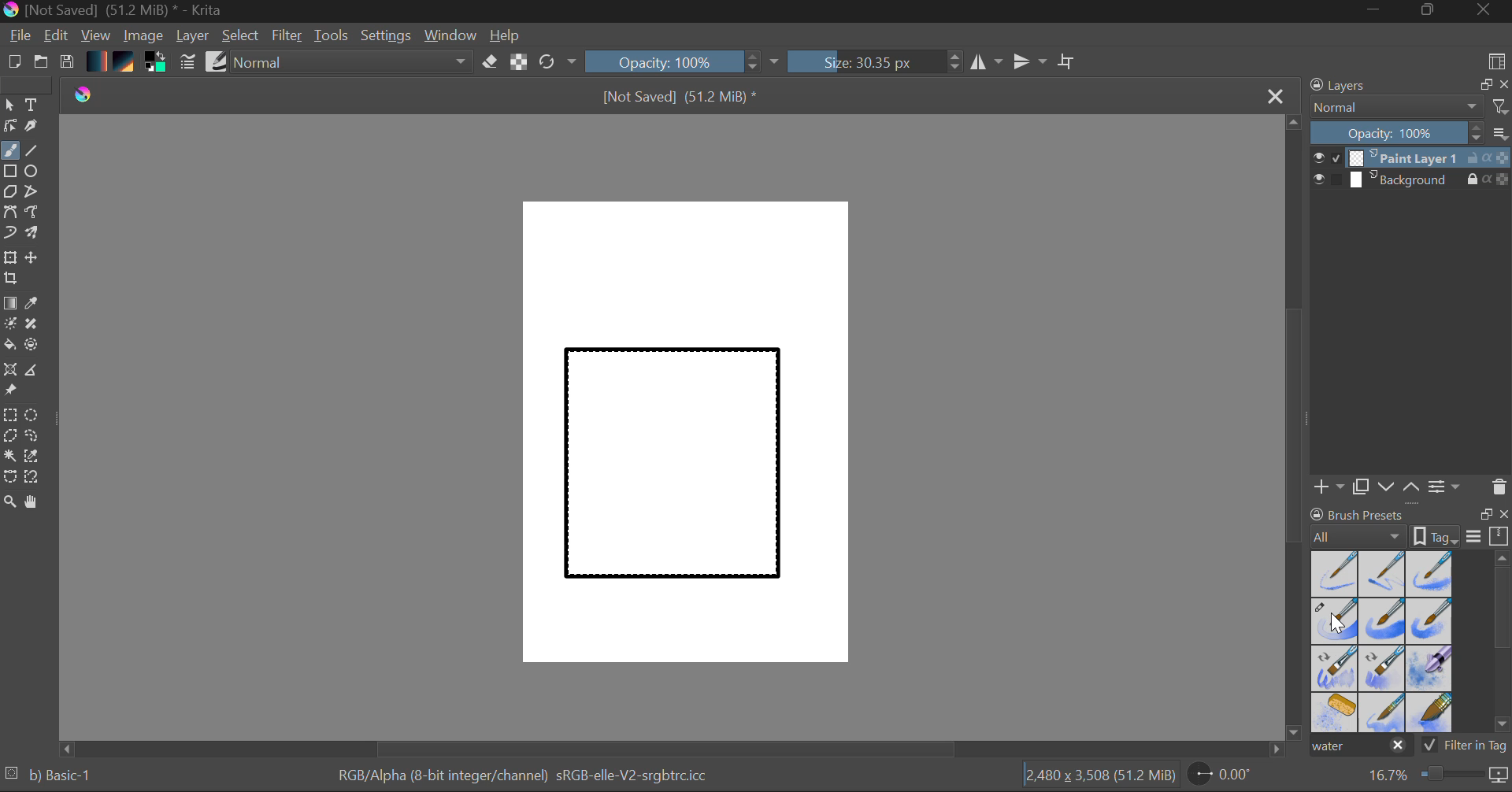 This screenshot has height=792, width=1512. What do you see at coordinates (1410, 107) in the screenshot?
I see `Blending Mode` at bounding box center [1410, 107].